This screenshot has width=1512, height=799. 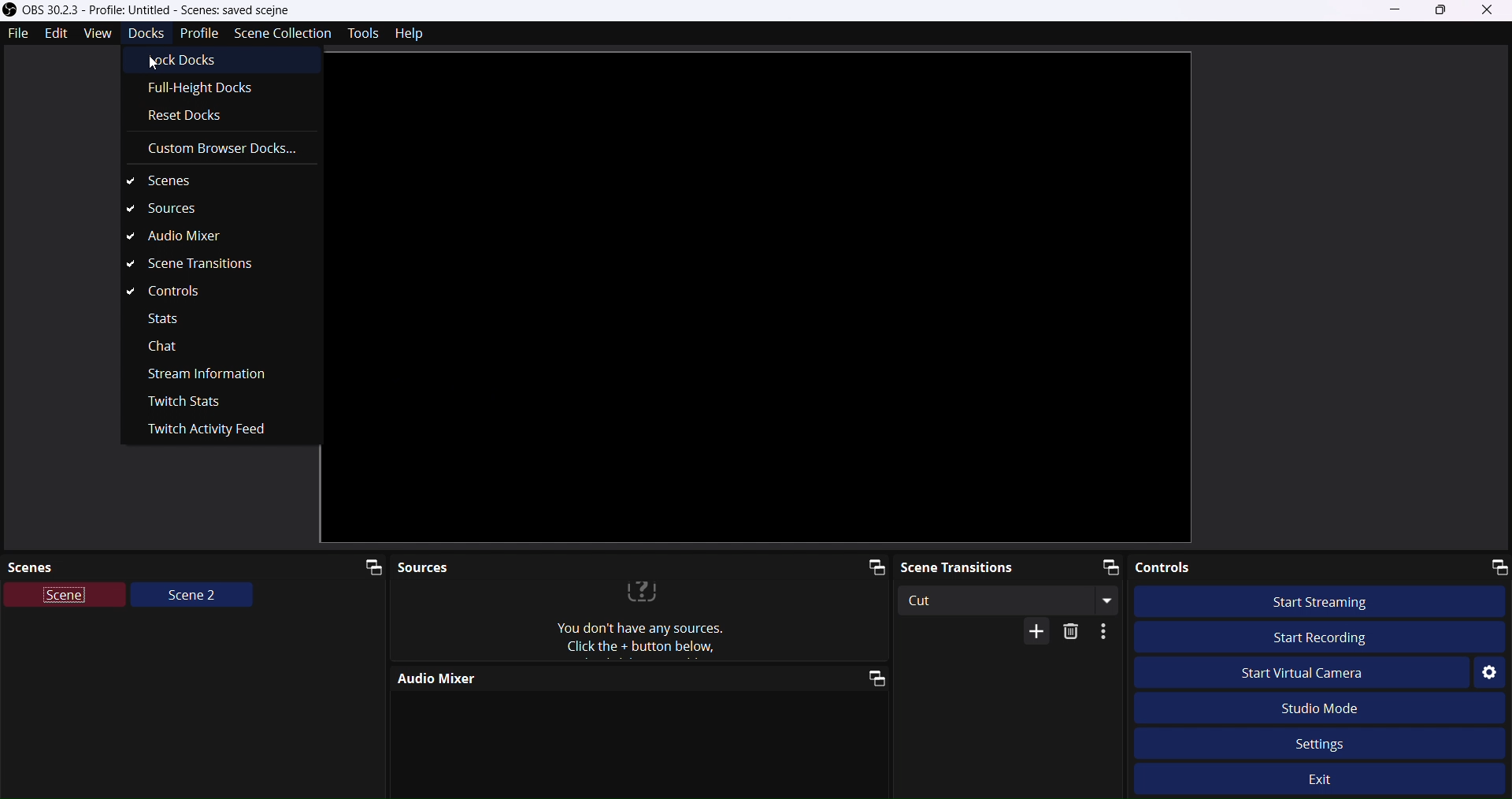 What do you see at coordinates (220, 376) in the screenshot?
I see `Stream Information` at bounding box center [220, 376].